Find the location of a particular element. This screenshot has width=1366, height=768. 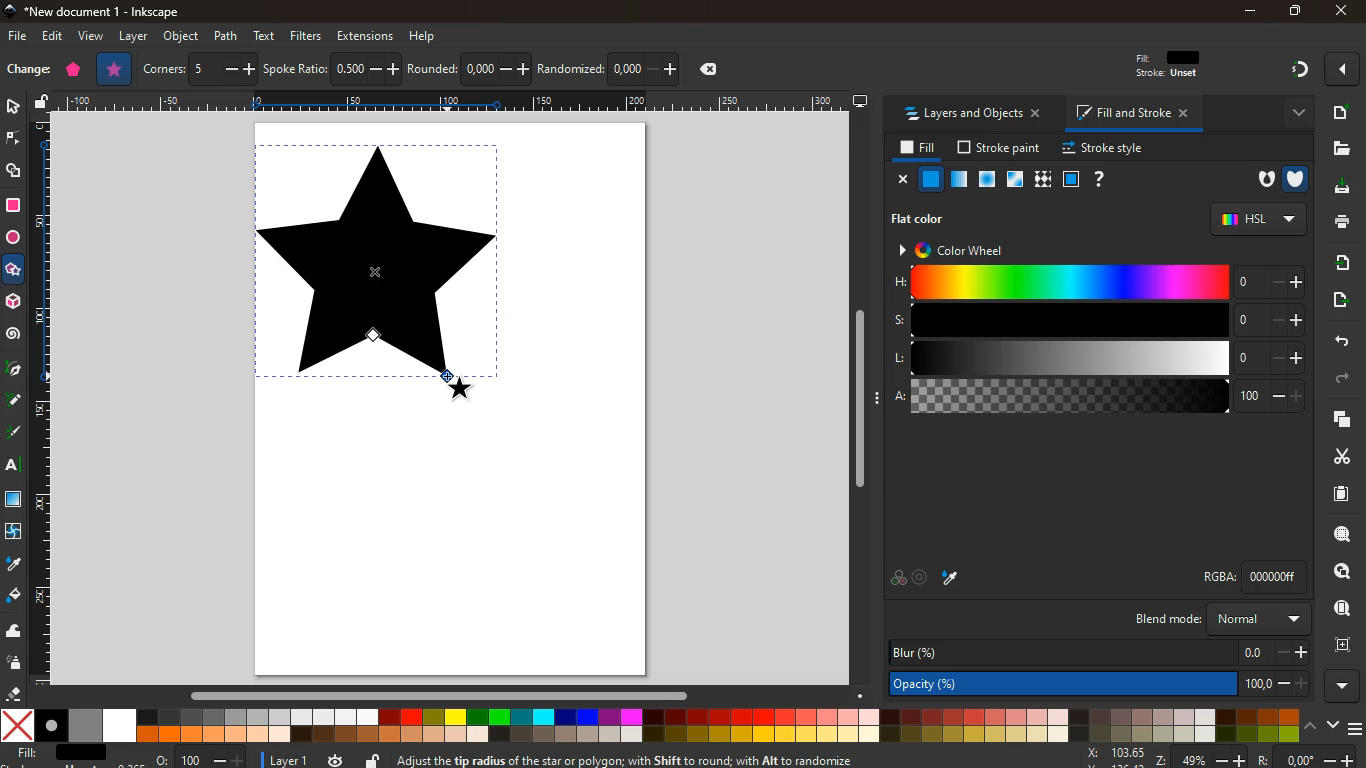

more is located at coordinates (1338, 687).